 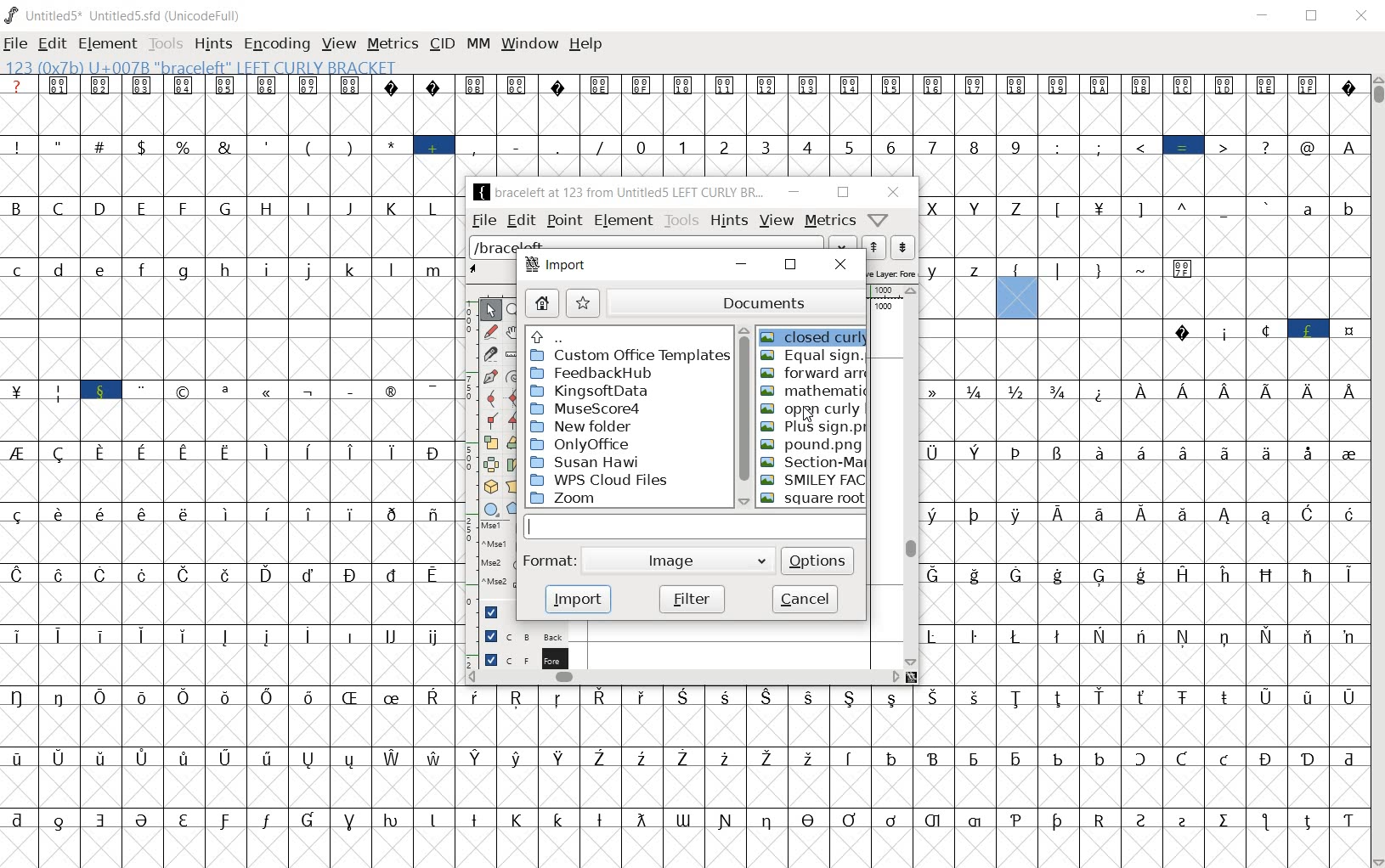 I want to click on Zoom, so click(x=626, y=499).